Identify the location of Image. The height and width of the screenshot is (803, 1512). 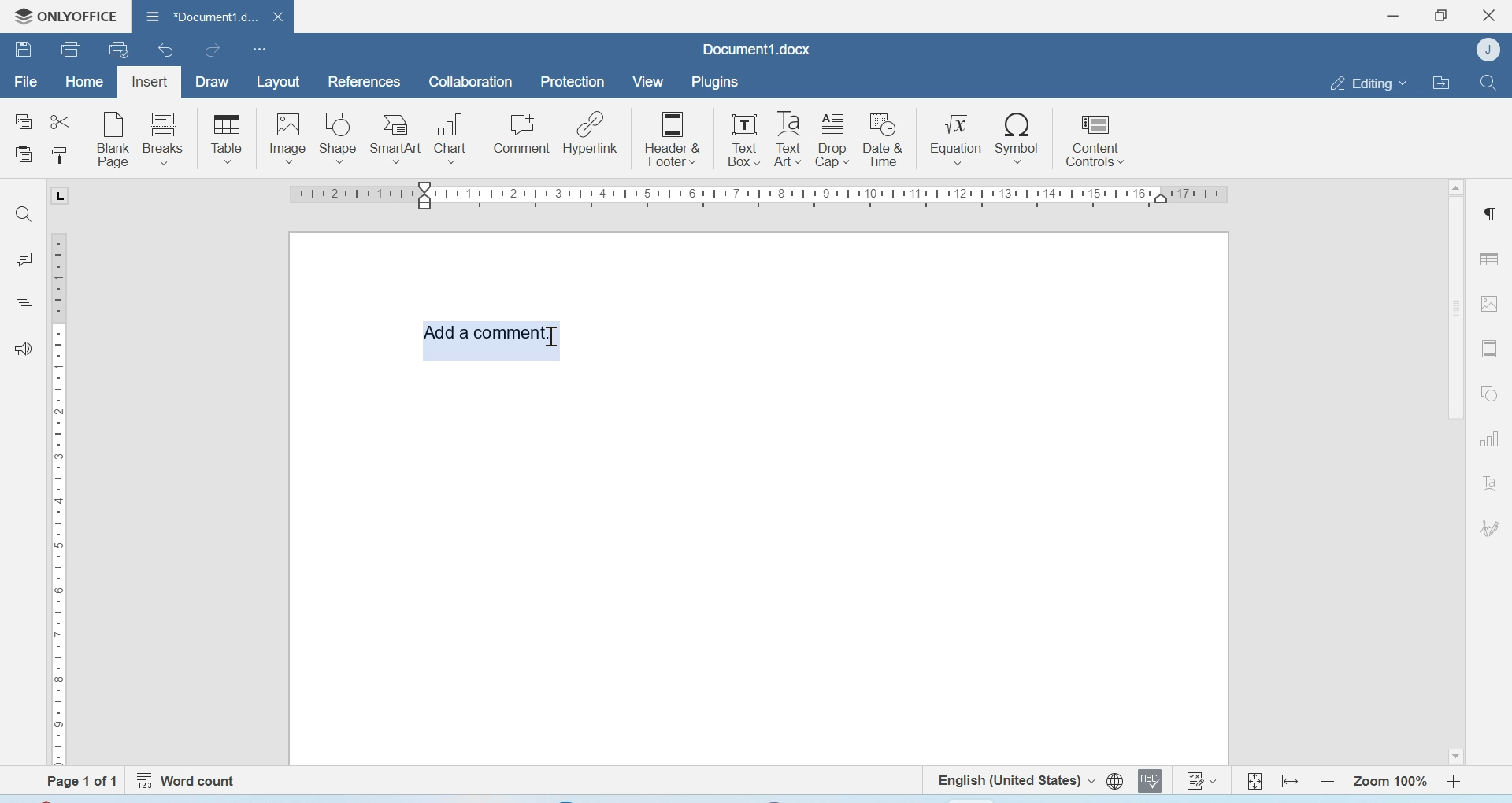
(287, 138).